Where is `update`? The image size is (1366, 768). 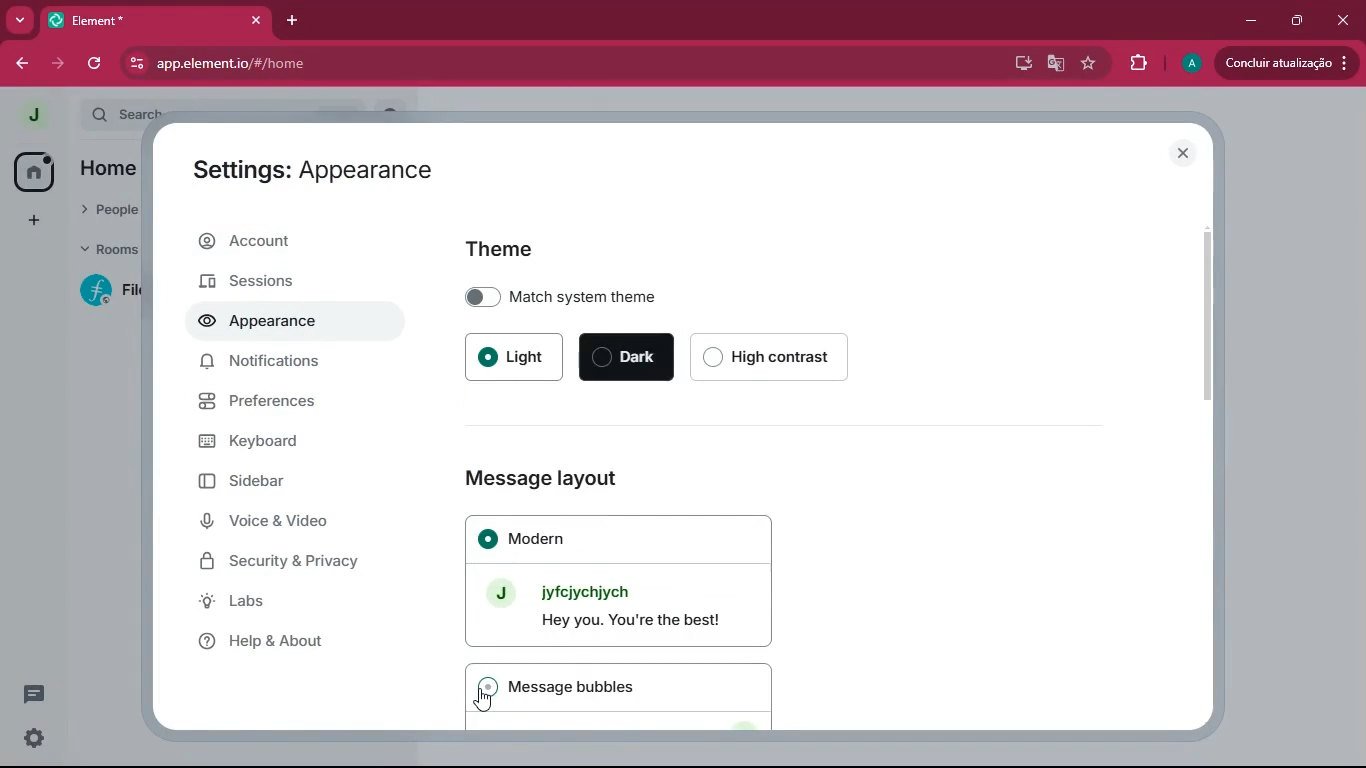
update is located at coordinates (1285, 62).